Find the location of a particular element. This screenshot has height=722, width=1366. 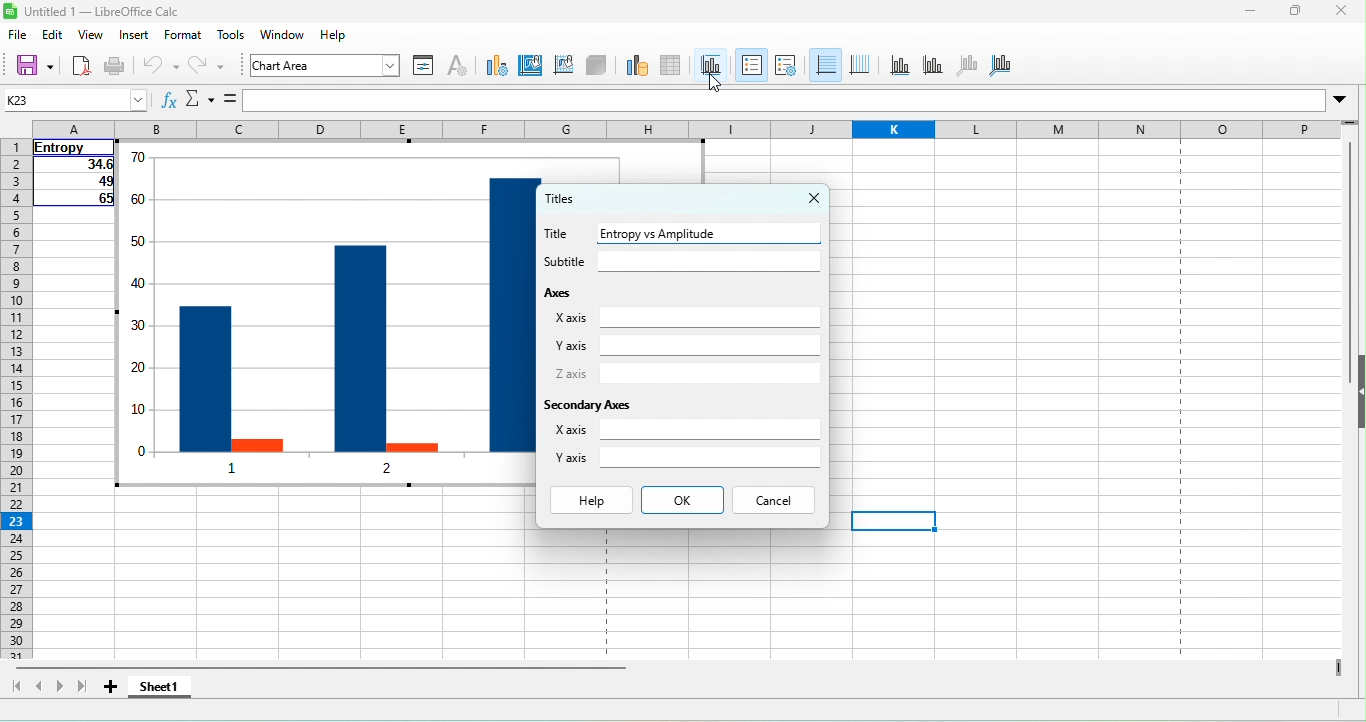

function wizard is located at coordinates (169, 101).